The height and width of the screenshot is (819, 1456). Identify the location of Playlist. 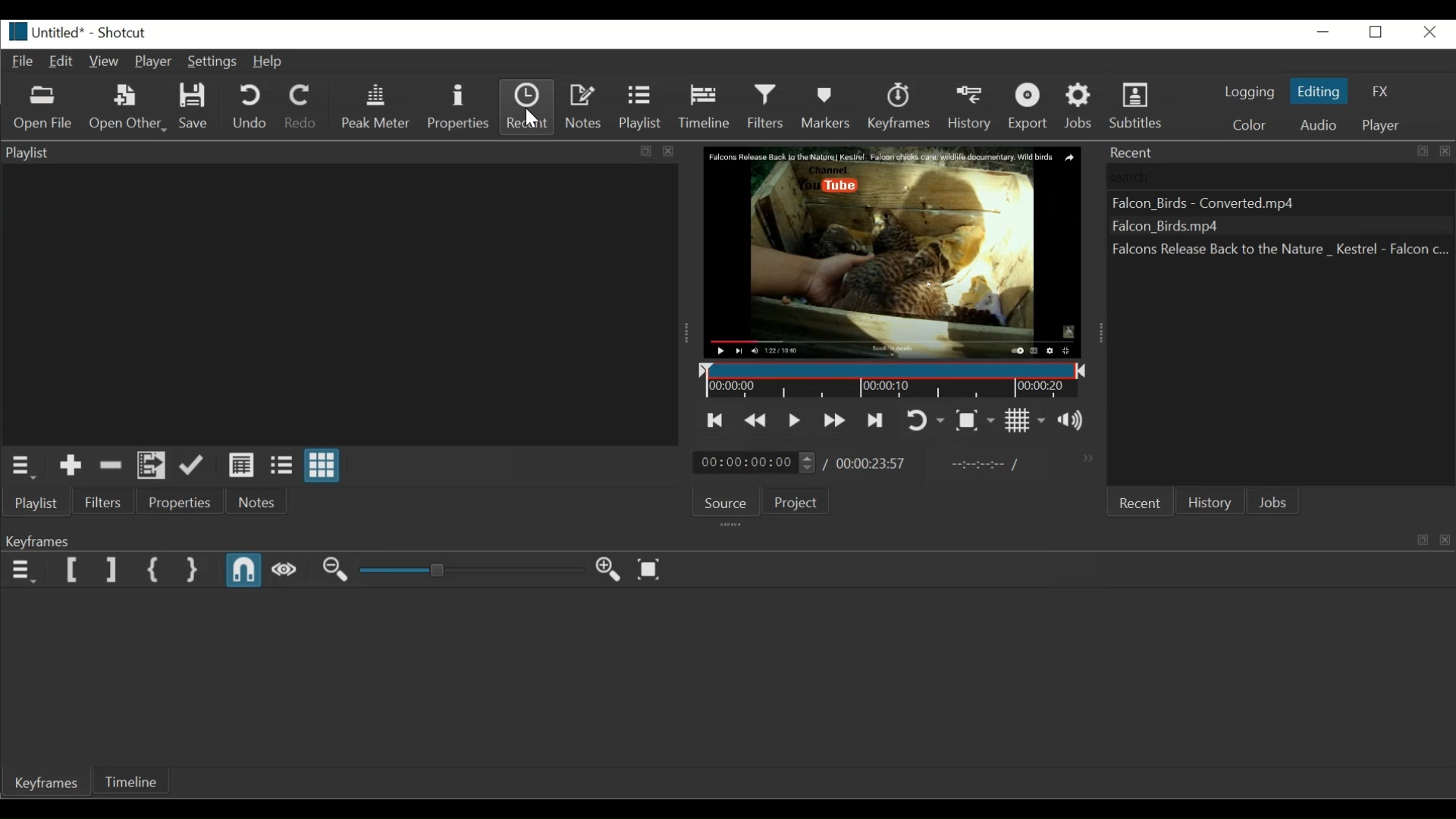
(340, 153).